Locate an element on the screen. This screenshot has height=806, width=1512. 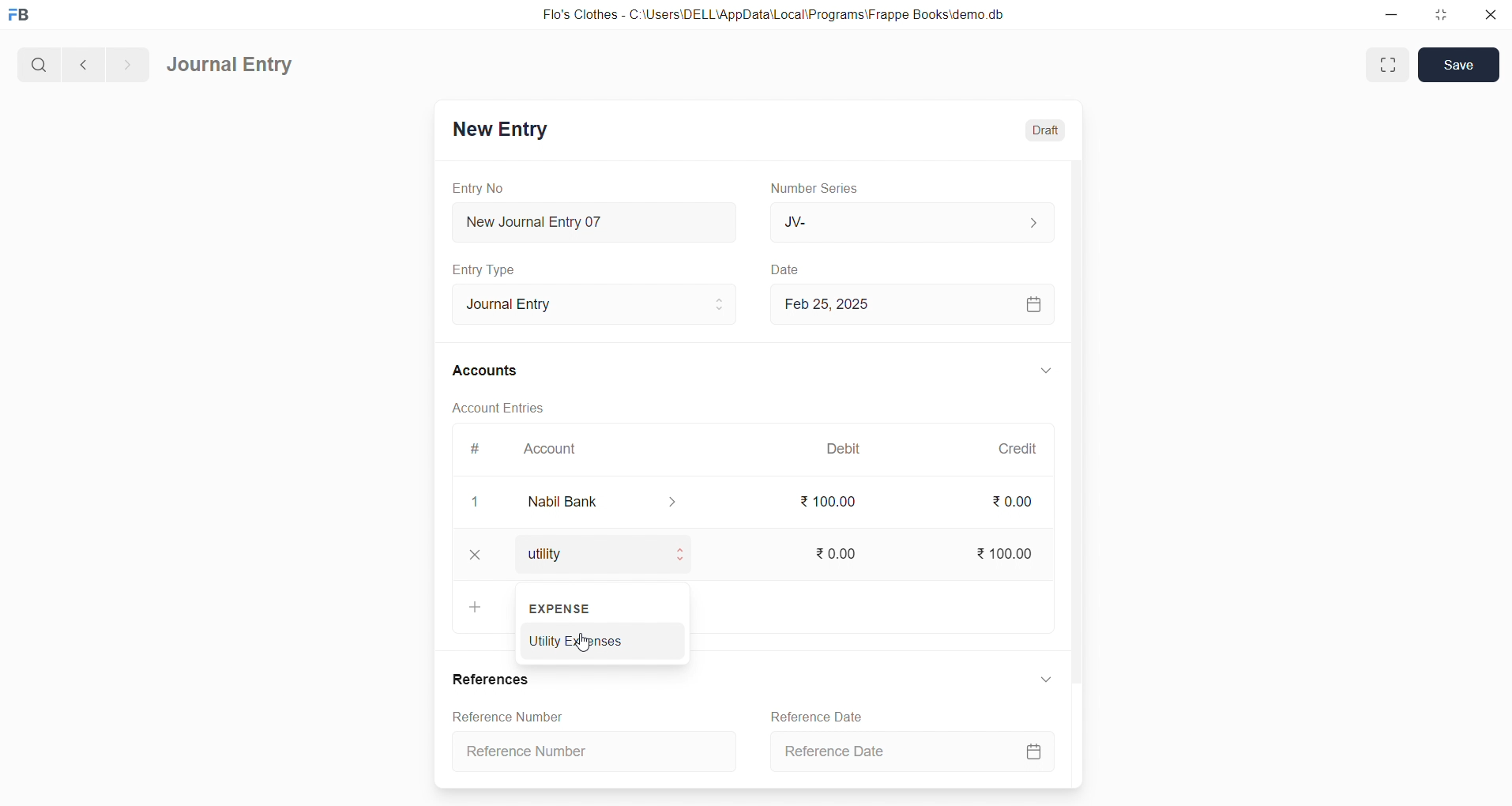
Add is located at coordinates (471, 607).